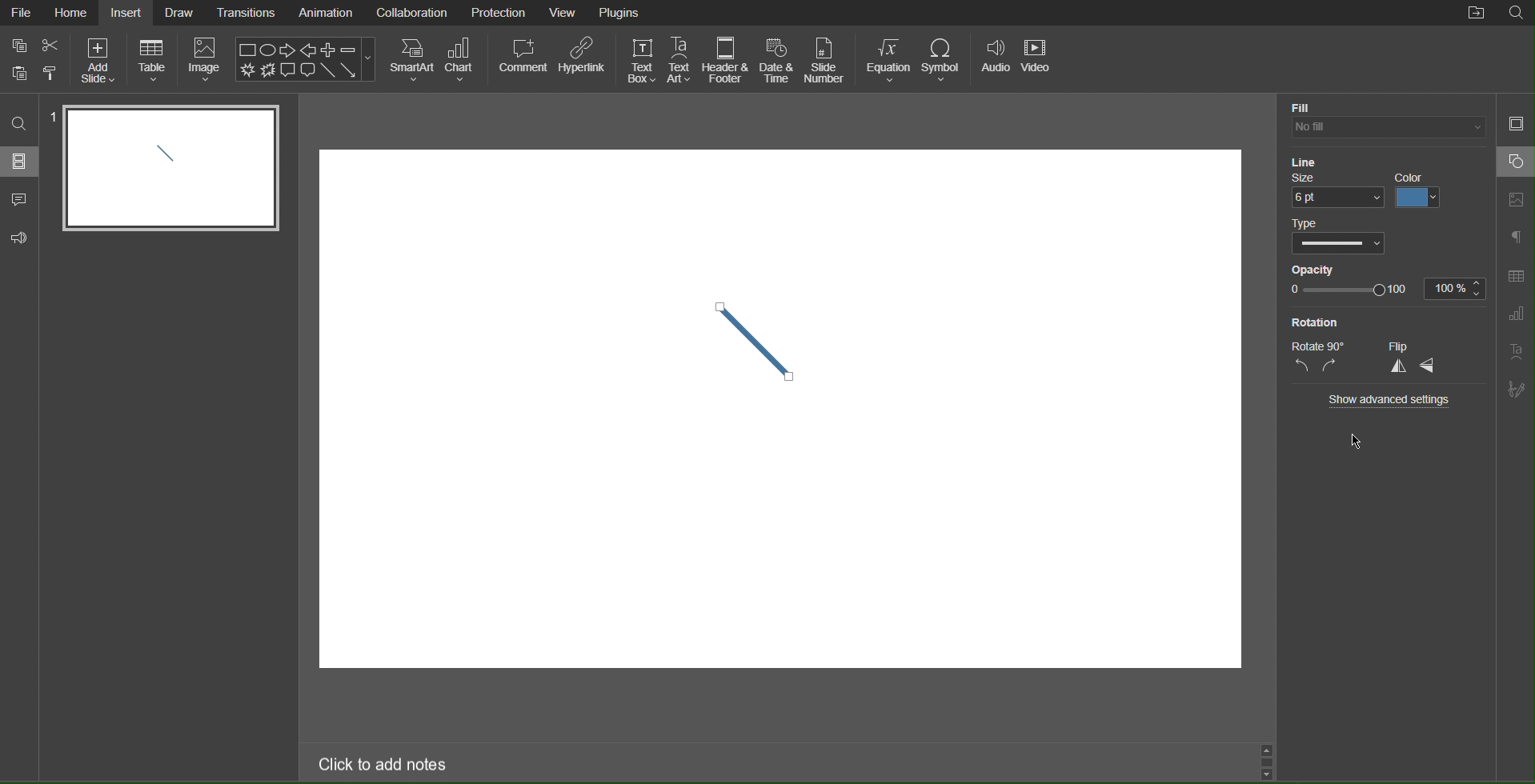  What do you see at coordinates (19, 238) in the screenshot?
I see `Feedback and Support` at bounding box center [19, 238].